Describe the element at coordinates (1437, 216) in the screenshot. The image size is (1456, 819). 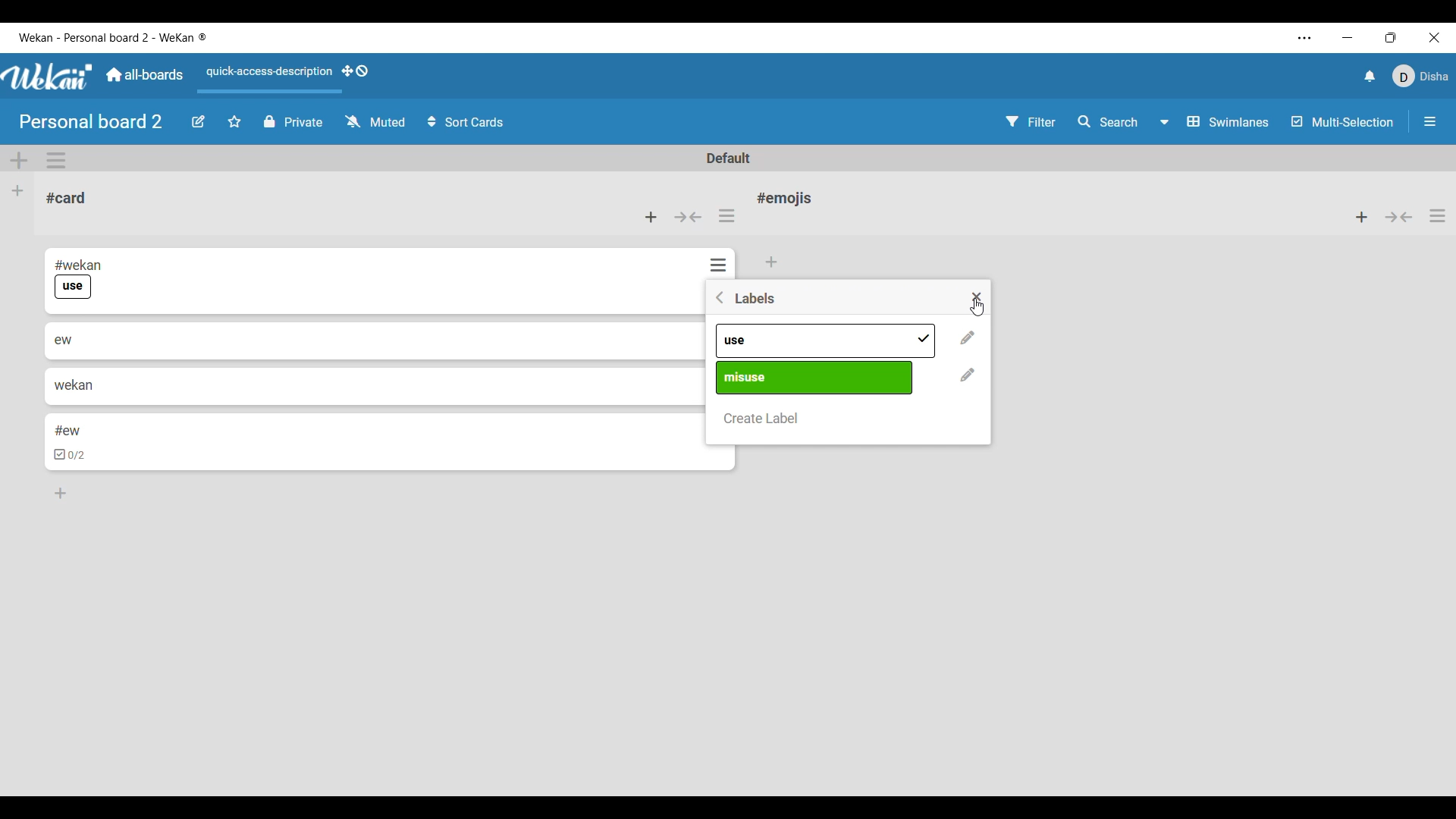
I see `List actions` at that location.